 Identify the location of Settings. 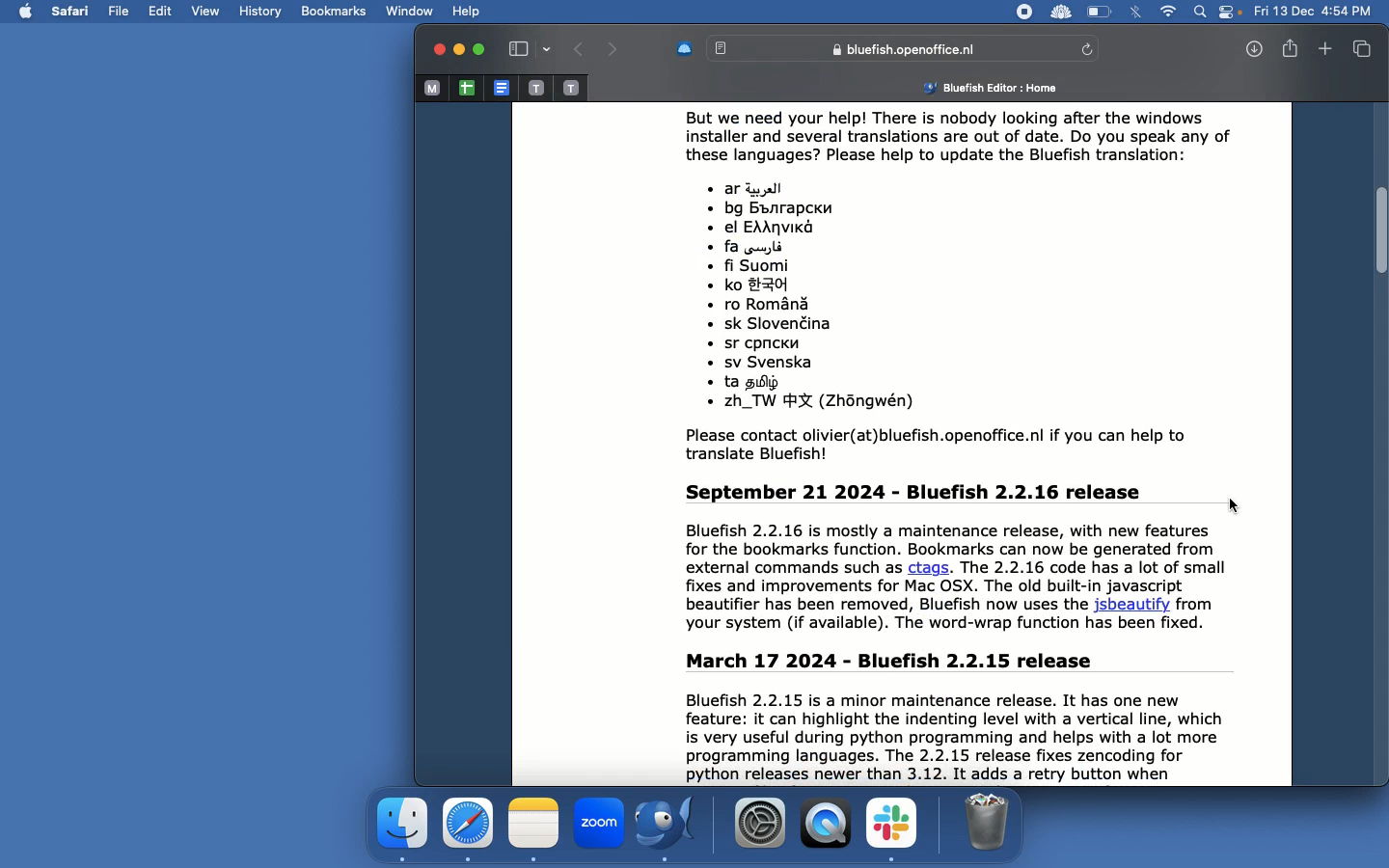
(760, 823).